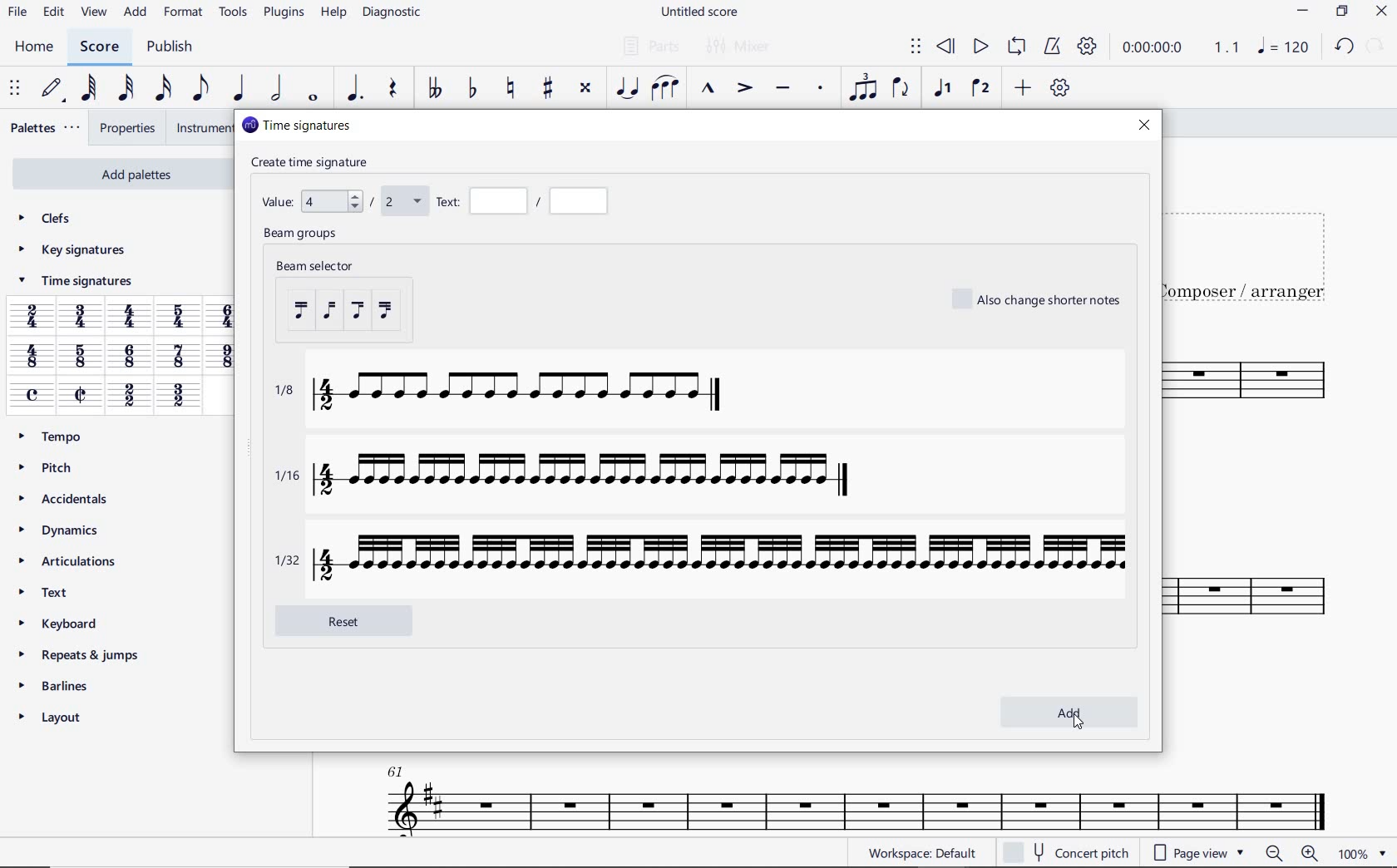  What do you see at coordinates (926, 852) in the screenshot?
I see `workspace default` at bounding box center [926, 852].